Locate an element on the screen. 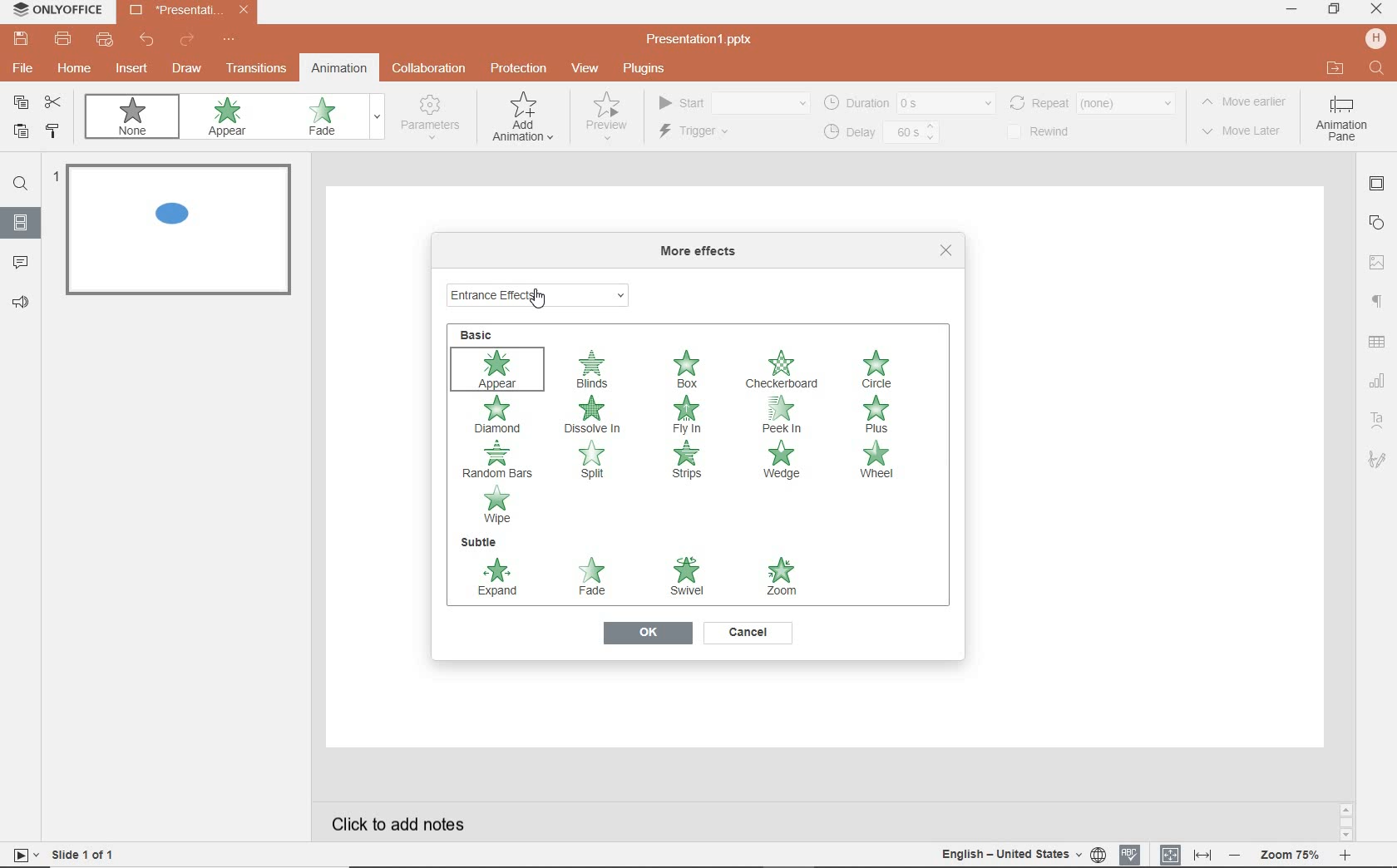 Image resolution: width=1397 pixels, height=868 pixels. BLINDS is located at coordinates (593, 369).